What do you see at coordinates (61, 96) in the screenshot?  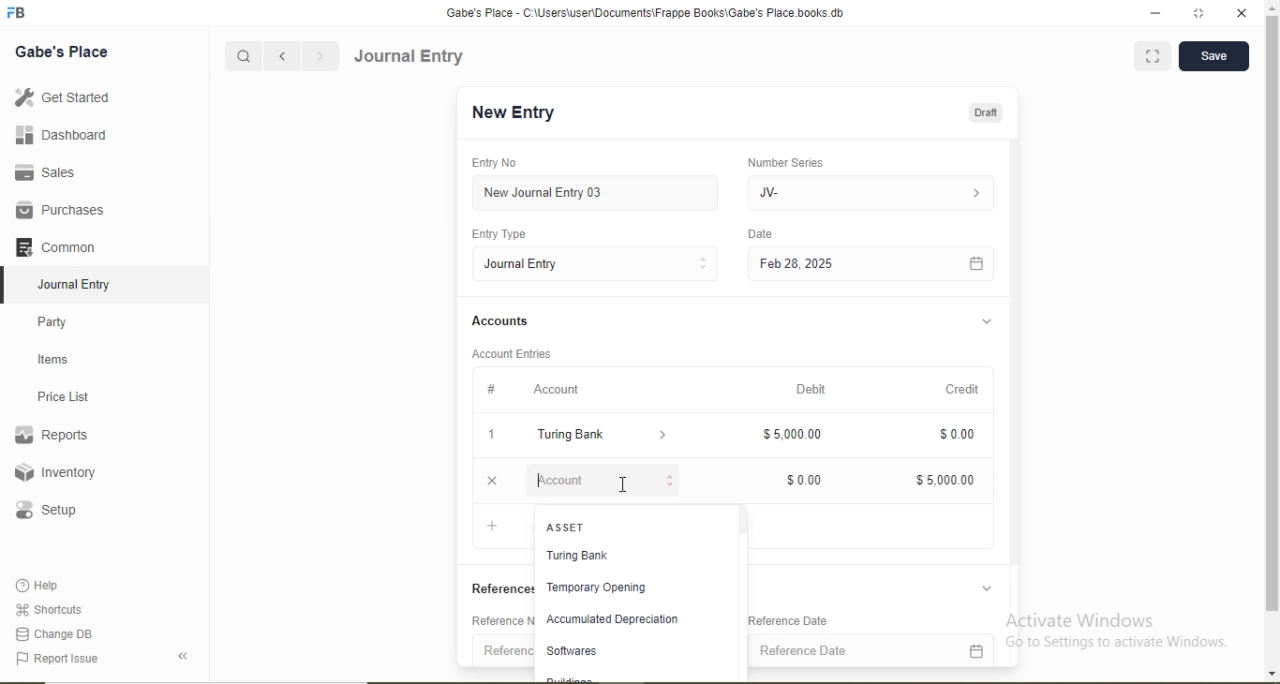 I see `Get Started` at bounding box center [61, 96].